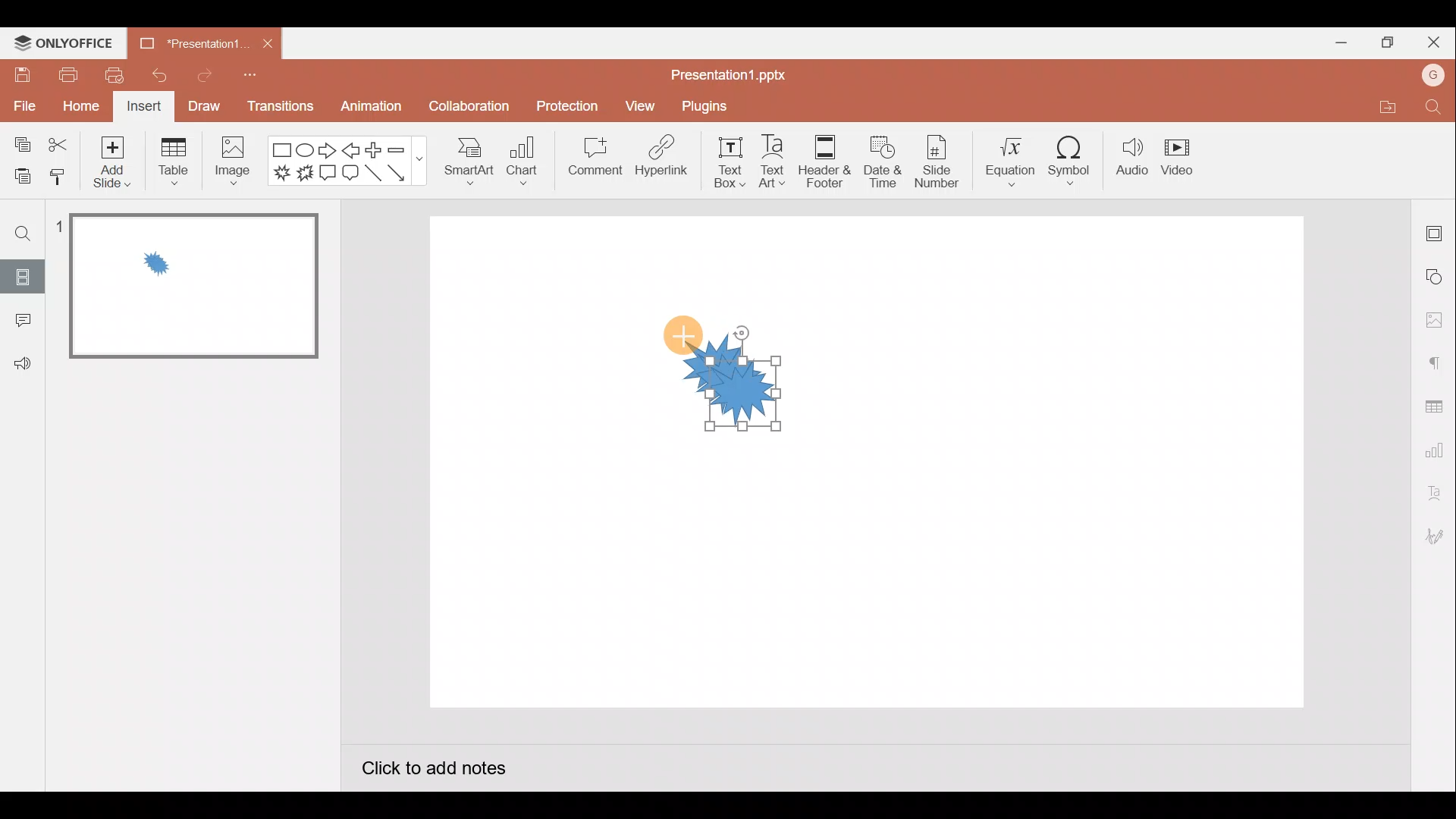 The width and height of the screenshot is (1456, 819). What do you see at coordinates (1437, 403) in the screenshot?
I see `Table settings` at bounding box center [1437, 403].